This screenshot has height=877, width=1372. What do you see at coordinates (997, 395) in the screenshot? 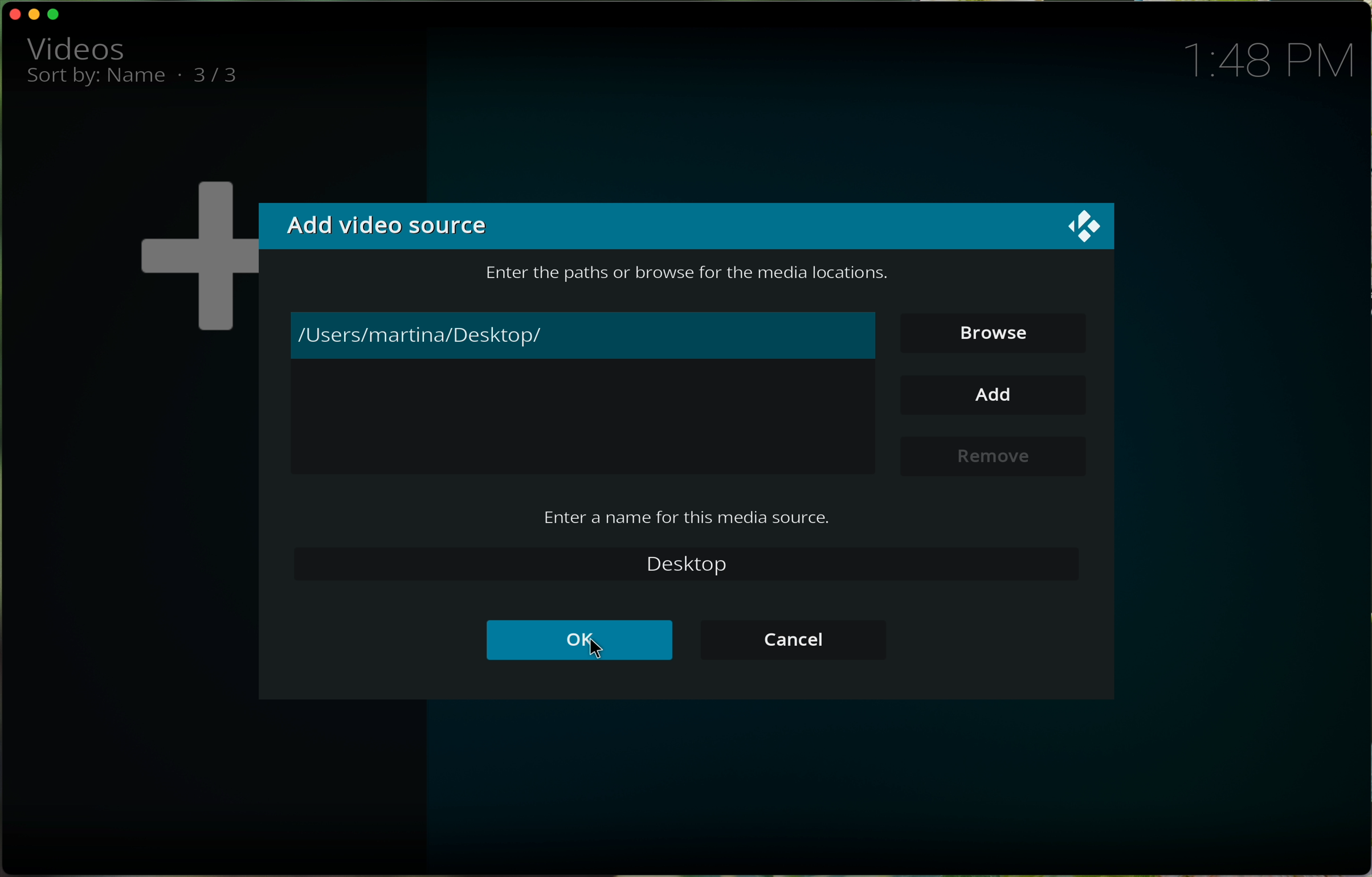
I see `add` at bounding box center [997, 395].